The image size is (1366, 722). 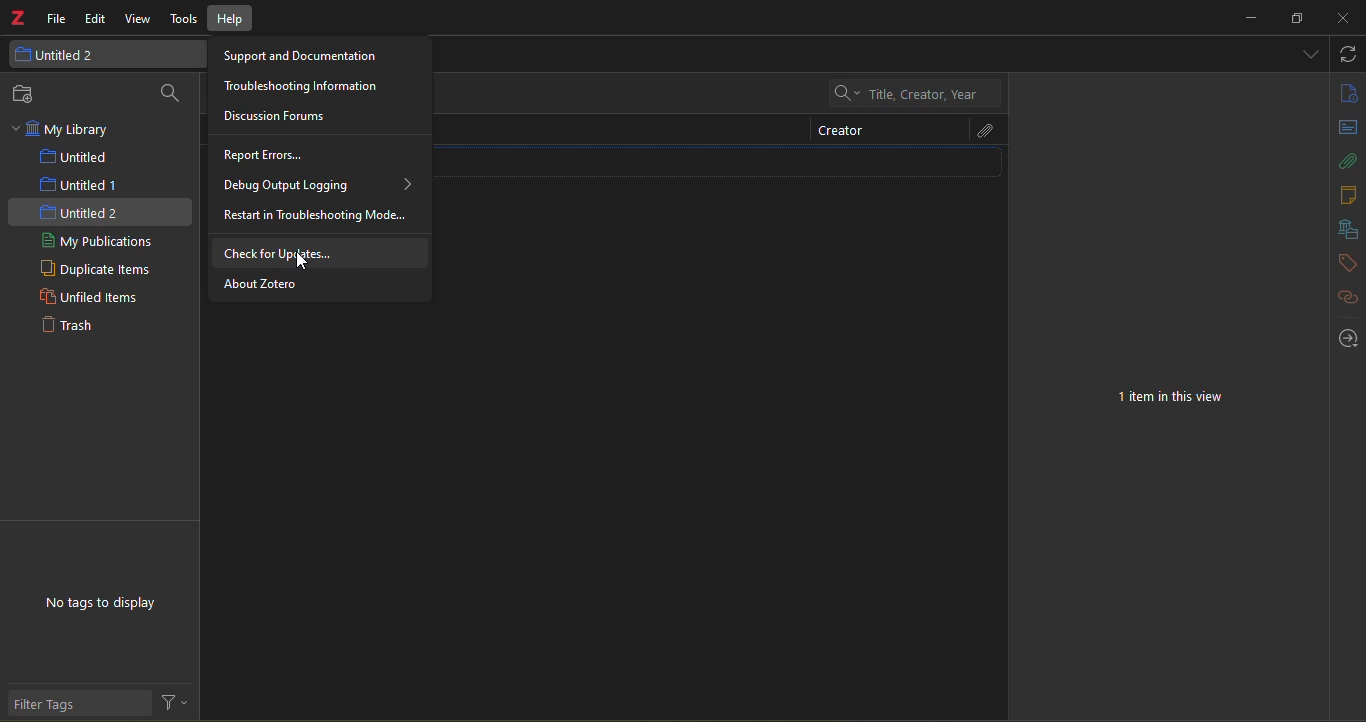 What do you see at coordinates (1348, 93) in the screenshot?
I see `info` at bounding box center [1348, 93].